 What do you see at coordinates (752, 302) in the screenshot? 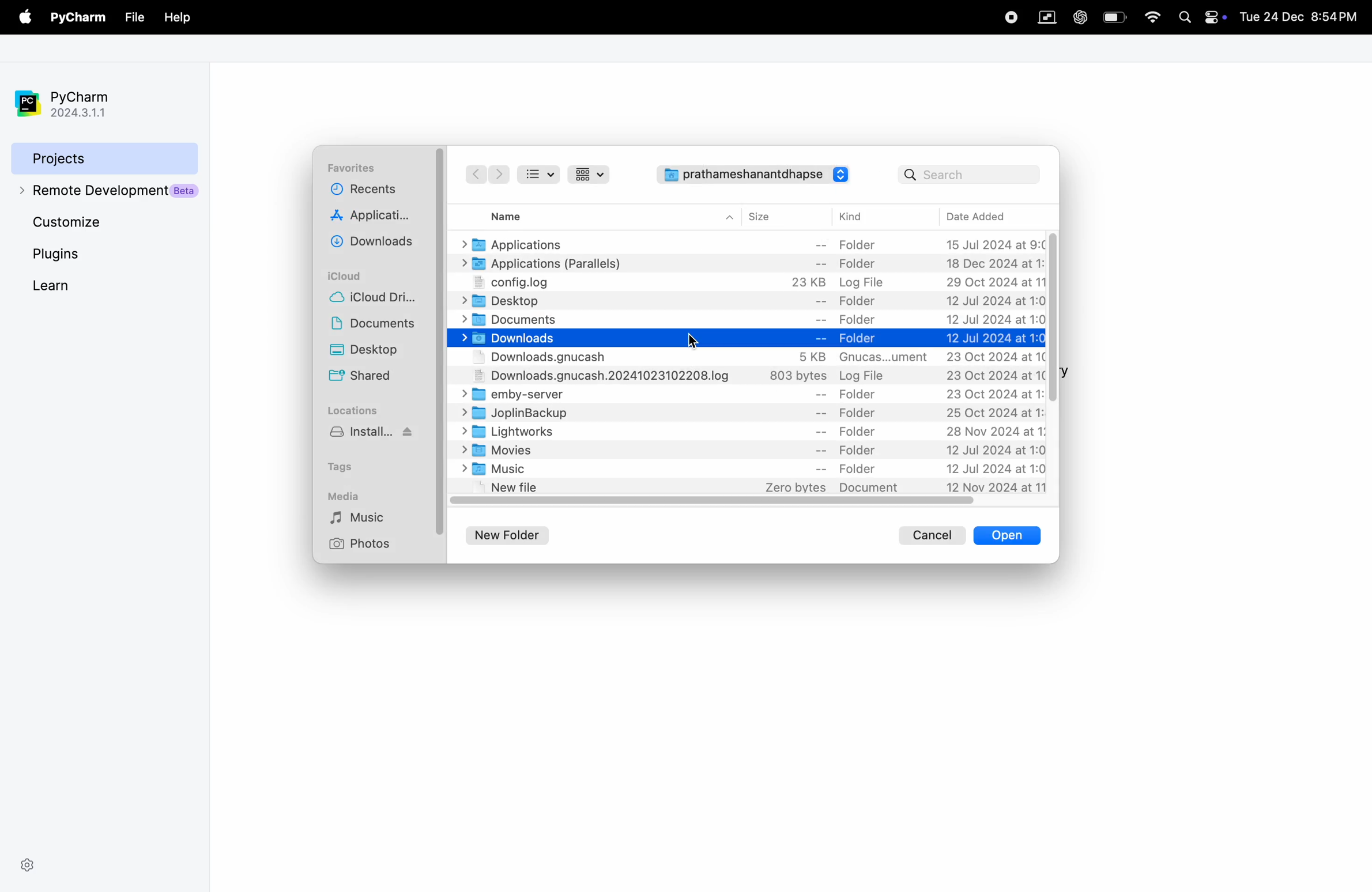
I see `desktop` at bounding box center [752, 302].